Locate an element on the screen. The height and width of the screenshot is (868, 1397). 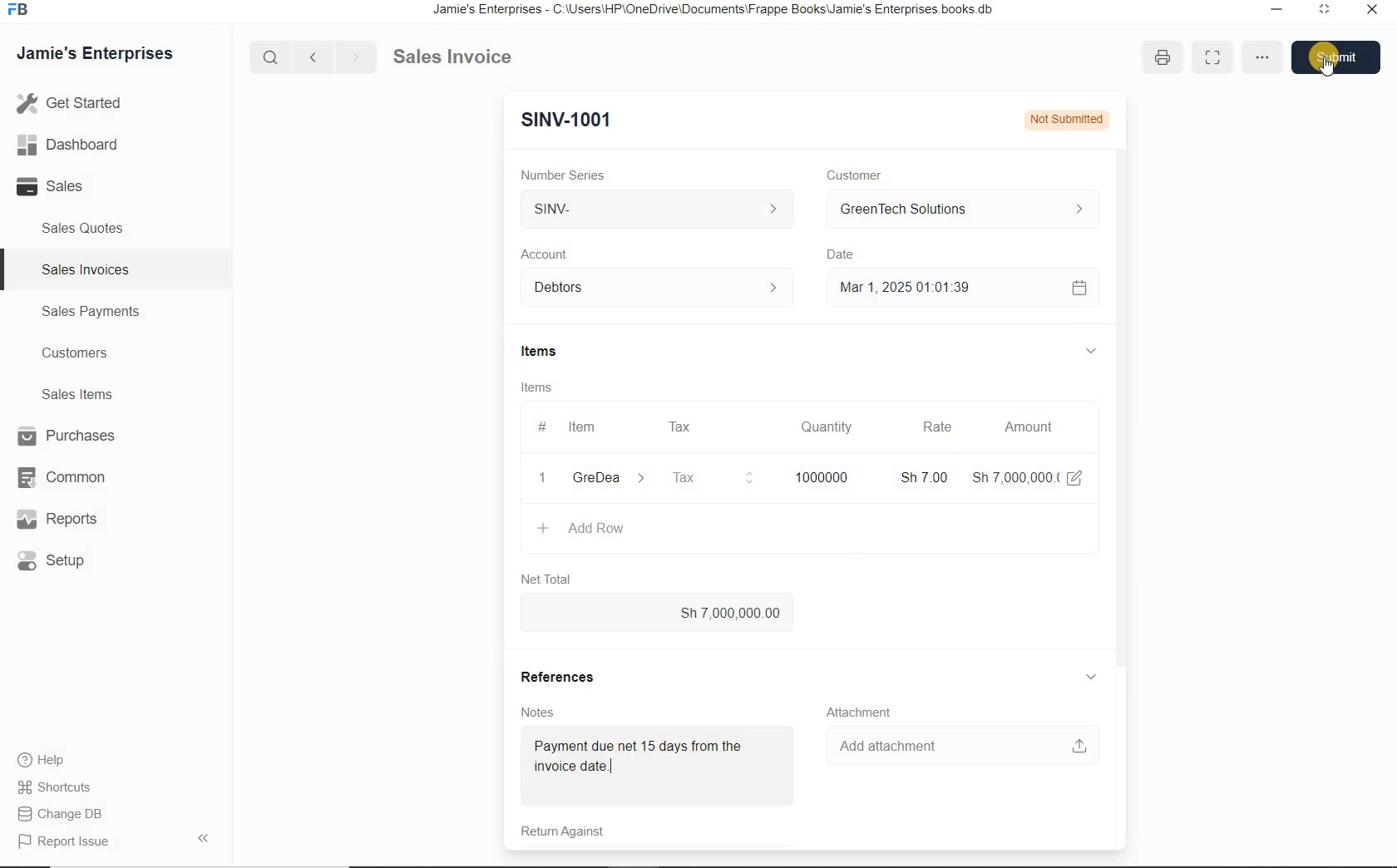
References is located at coordinates (562, 674).